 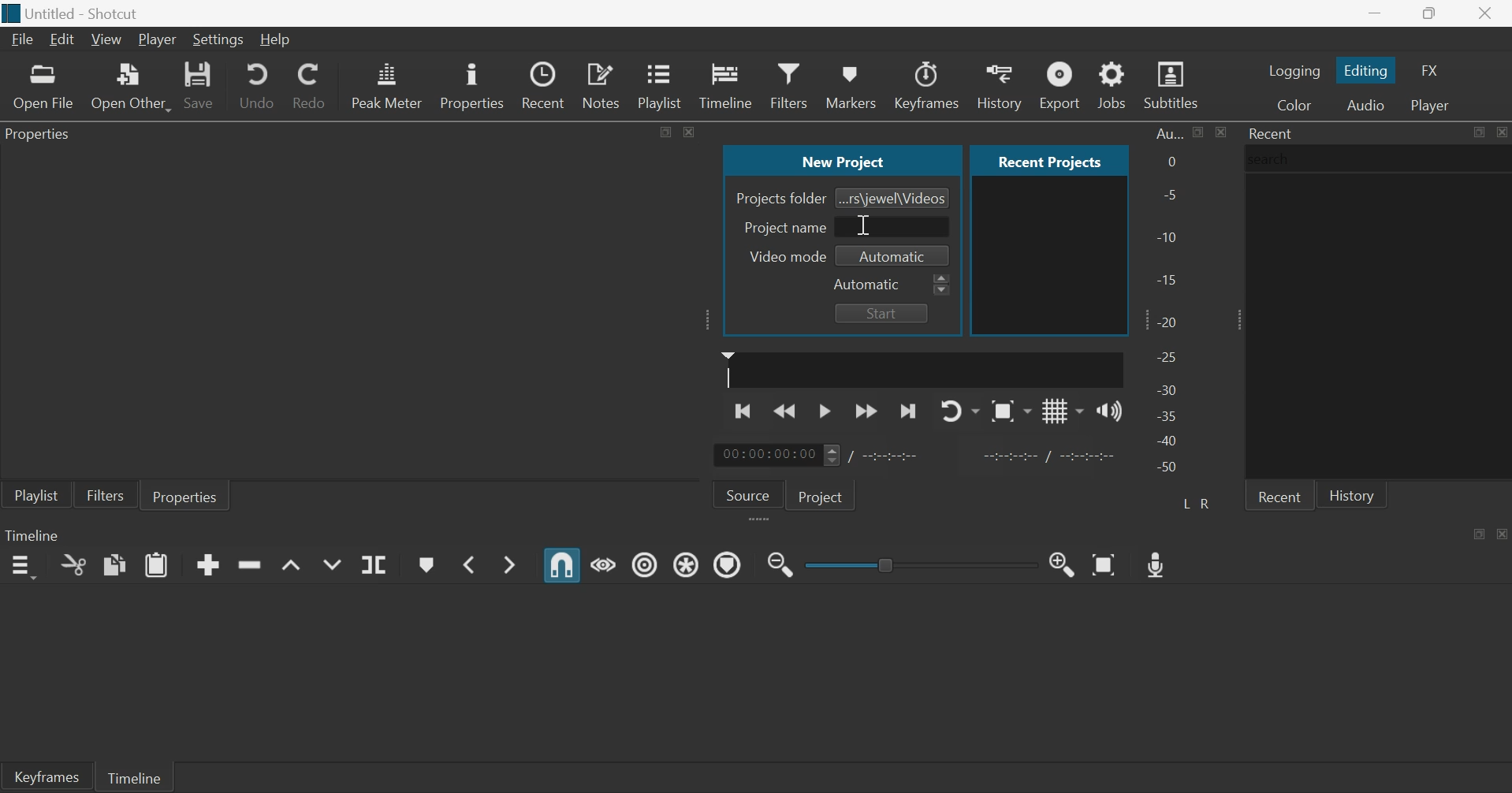 I want to click on Expand, so click(x=1235, y=319).